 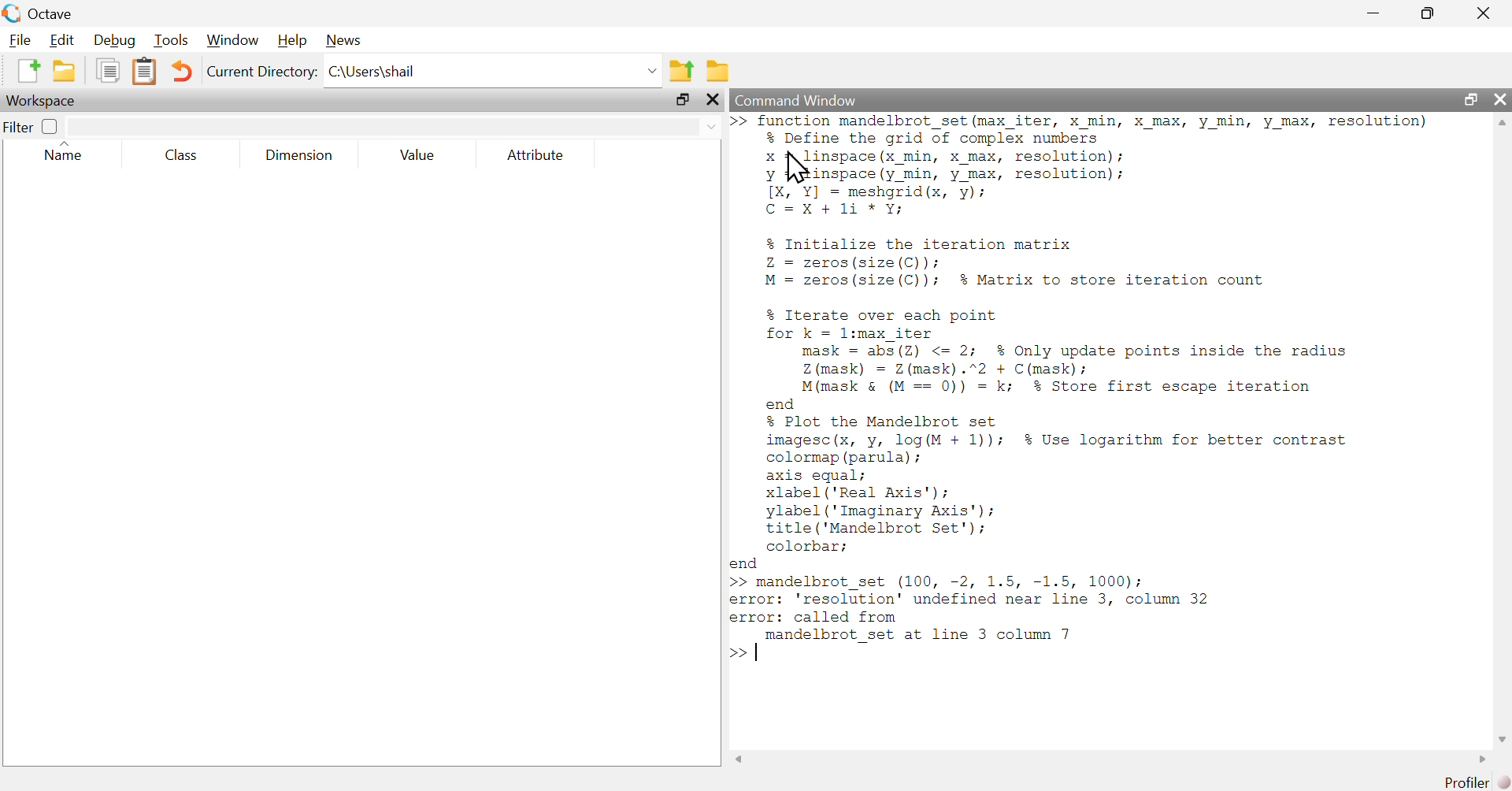 What do you see at coordinates (1484, 11) in the screenshot?
I see `close` at bounding box center [1484, 11].